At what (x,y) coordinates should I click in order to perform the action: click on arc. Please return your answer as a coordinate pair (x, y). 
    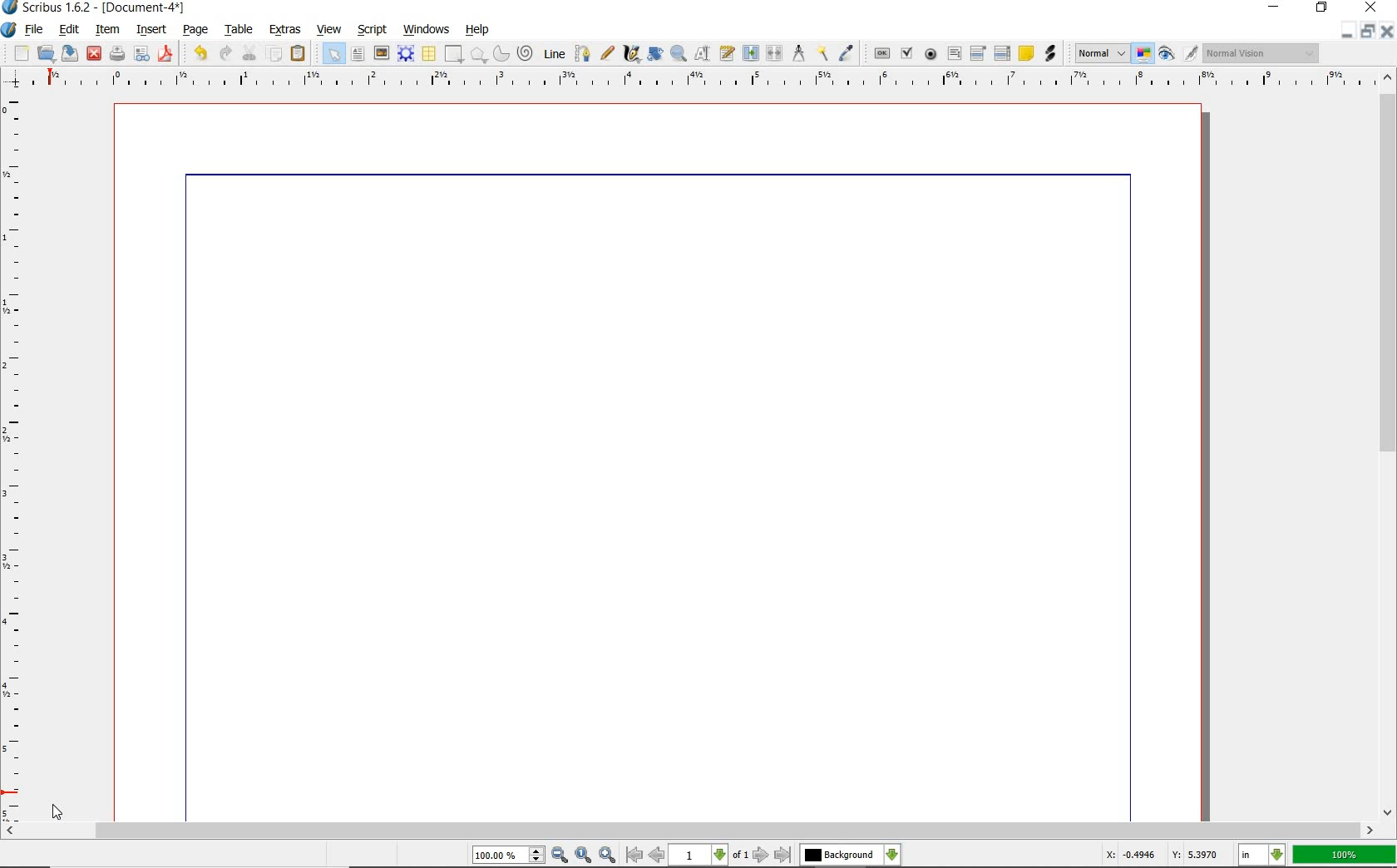
    Looking at the image, I should click on (500, 53).